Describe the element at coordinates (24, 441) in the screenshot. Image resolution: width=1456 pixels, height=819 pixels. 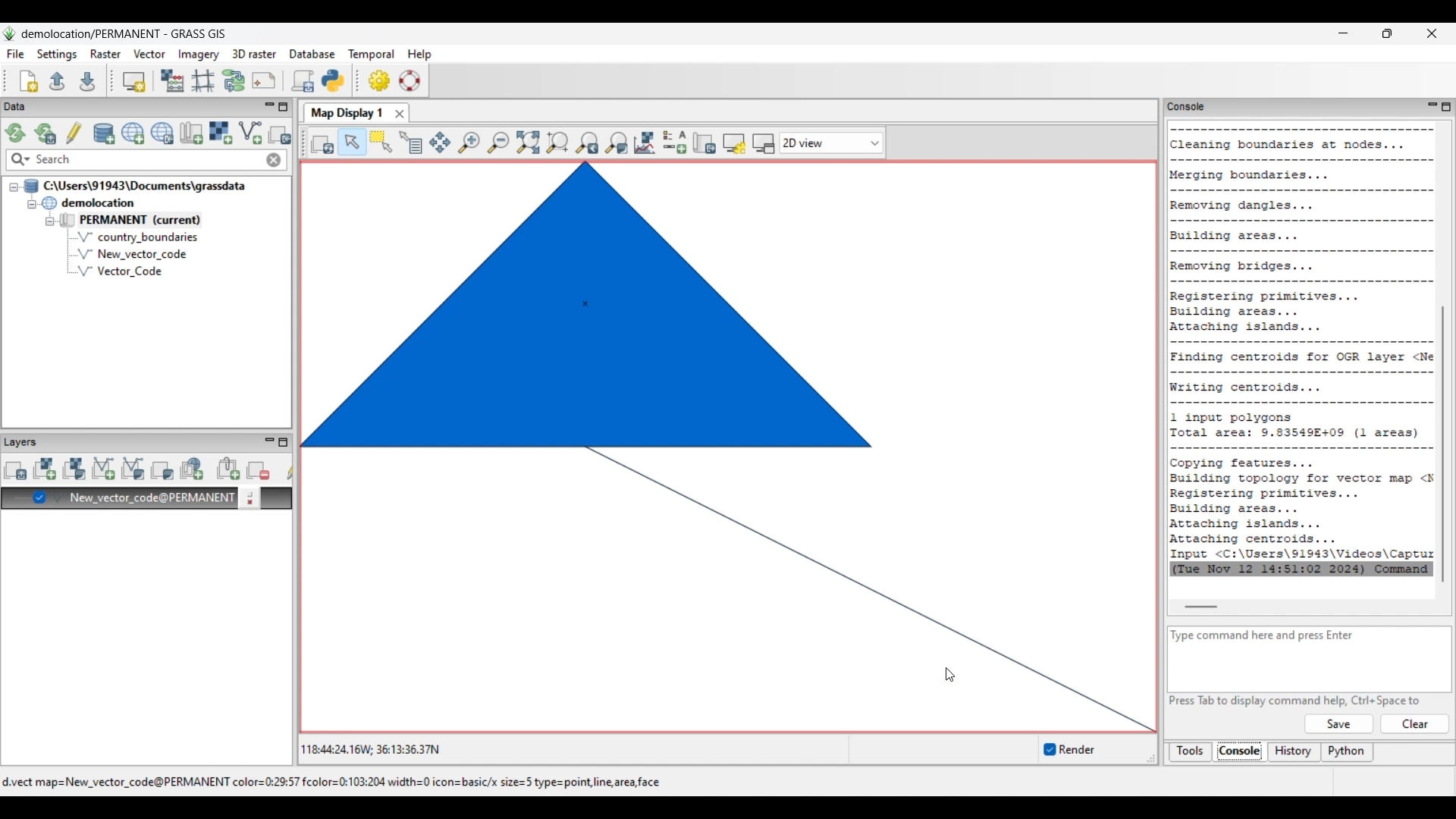
I see `Layers` at that location.